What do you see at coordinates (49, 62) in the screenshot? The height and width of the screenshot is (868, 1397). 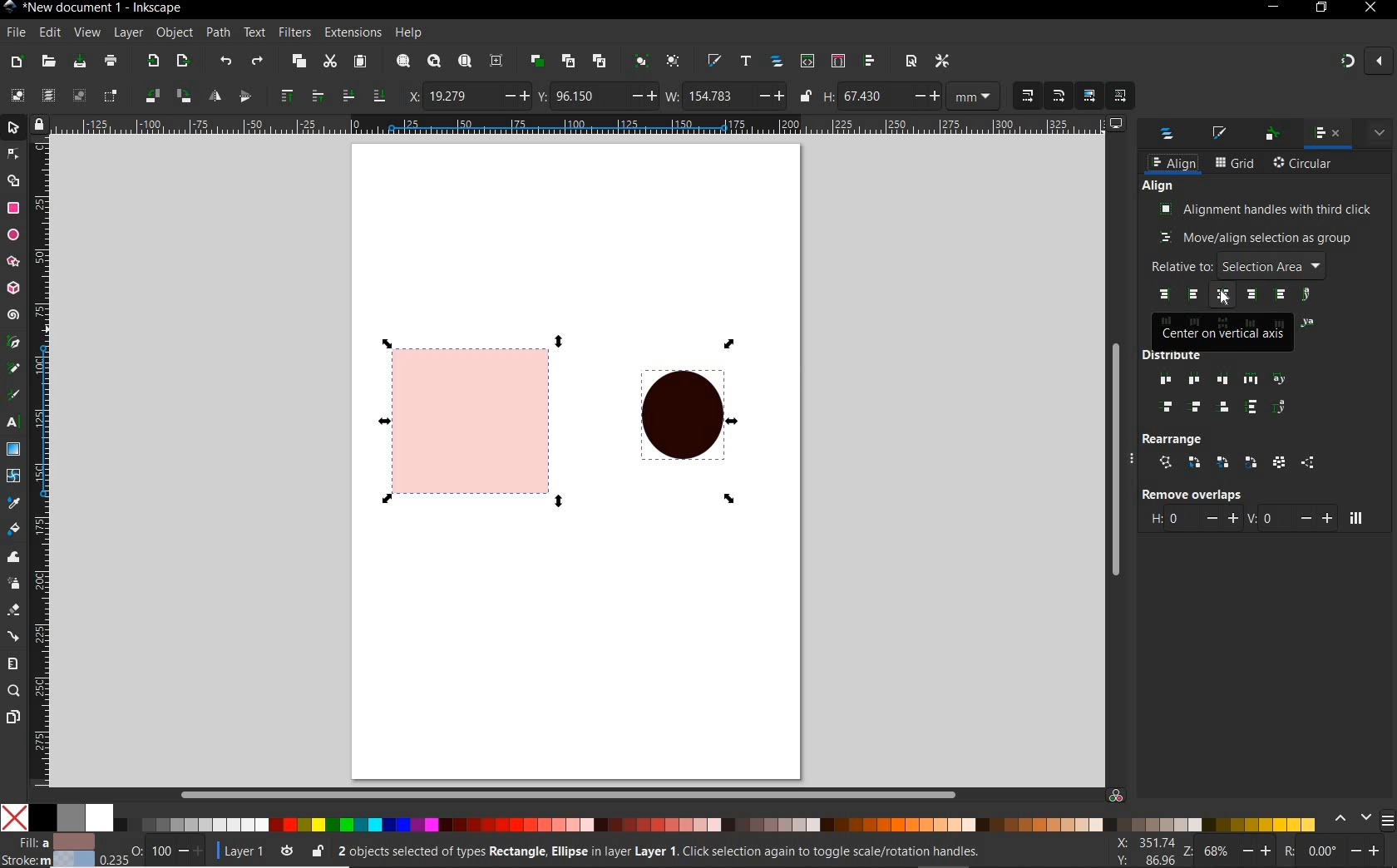 I see `open file dialog` at bounding box center [49, 62].